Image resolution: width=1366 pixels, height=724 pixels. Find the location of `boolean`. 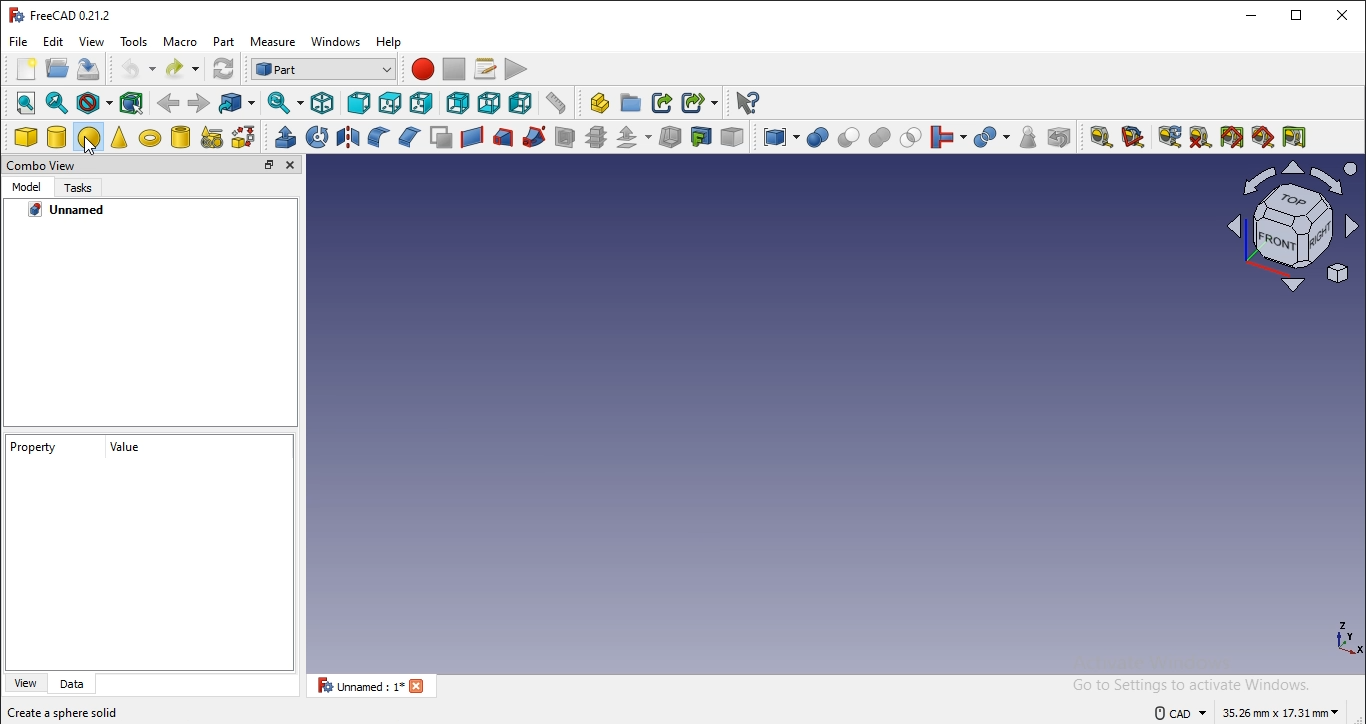

boolean is located at coordinates (817, 138).